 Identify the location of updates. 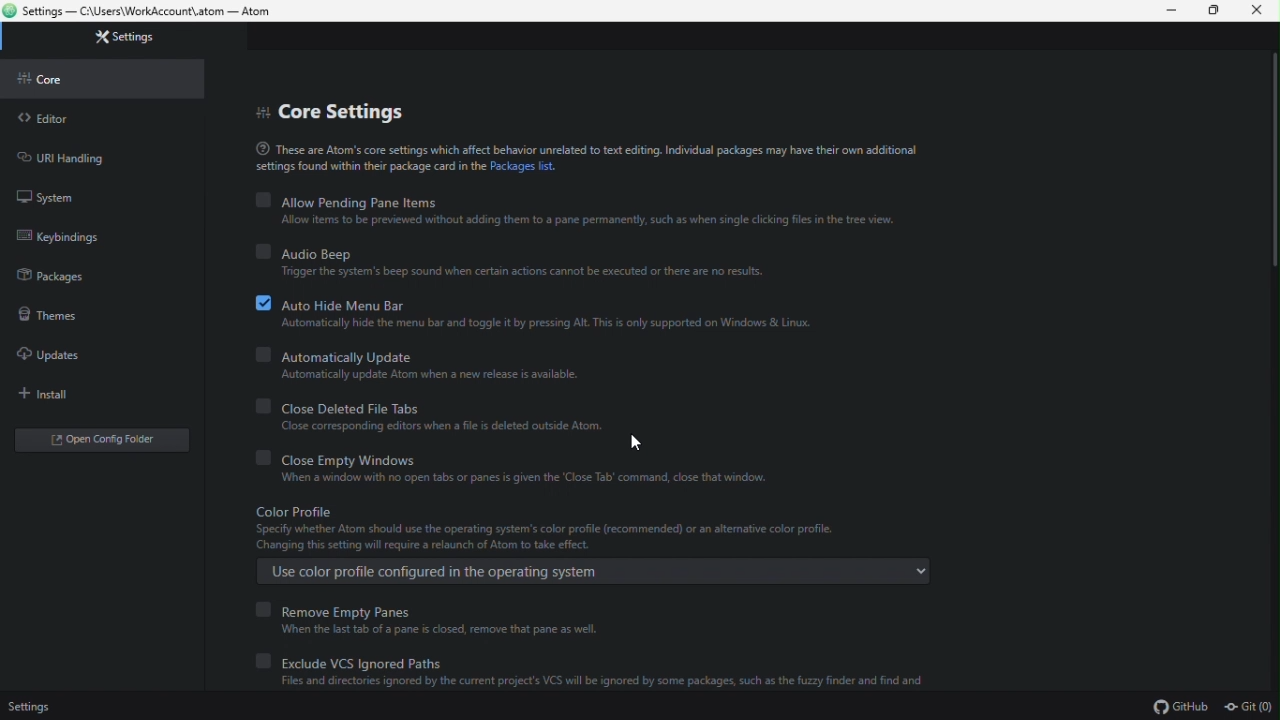
(93, 356).